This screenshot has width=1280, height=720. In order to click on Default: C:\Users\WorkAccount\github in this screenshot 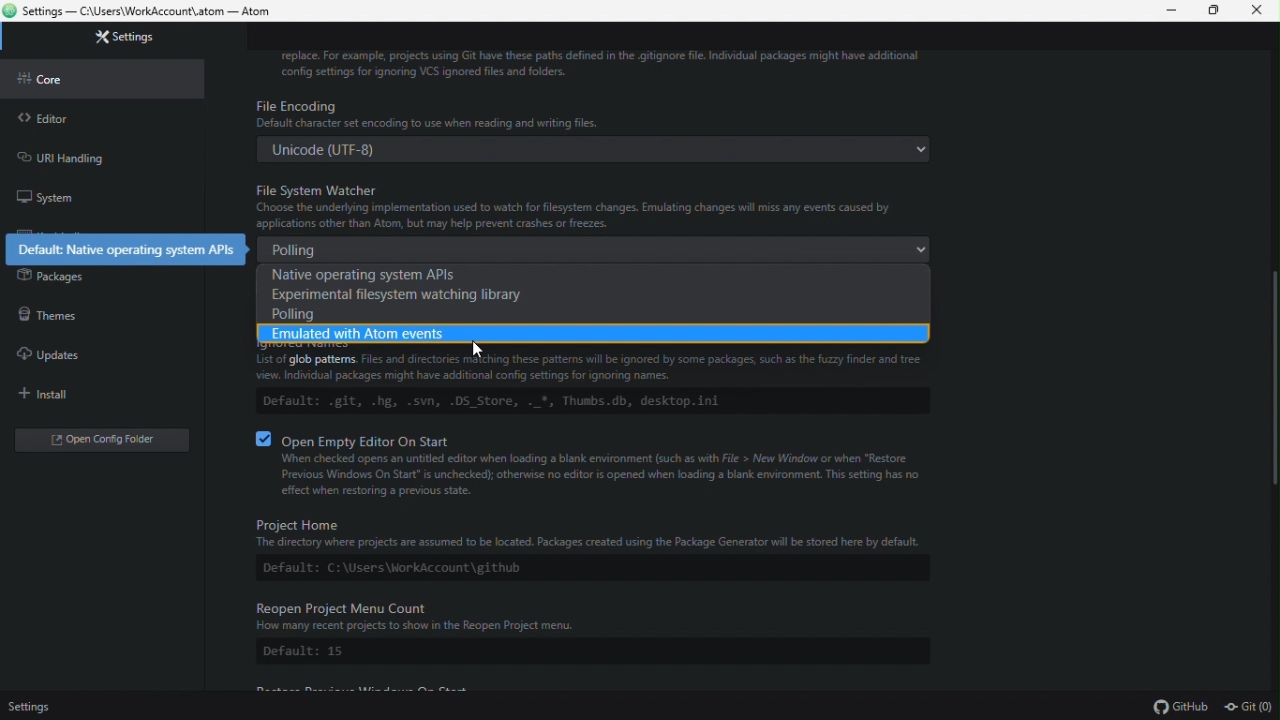, I will do `click(402, 570)`.